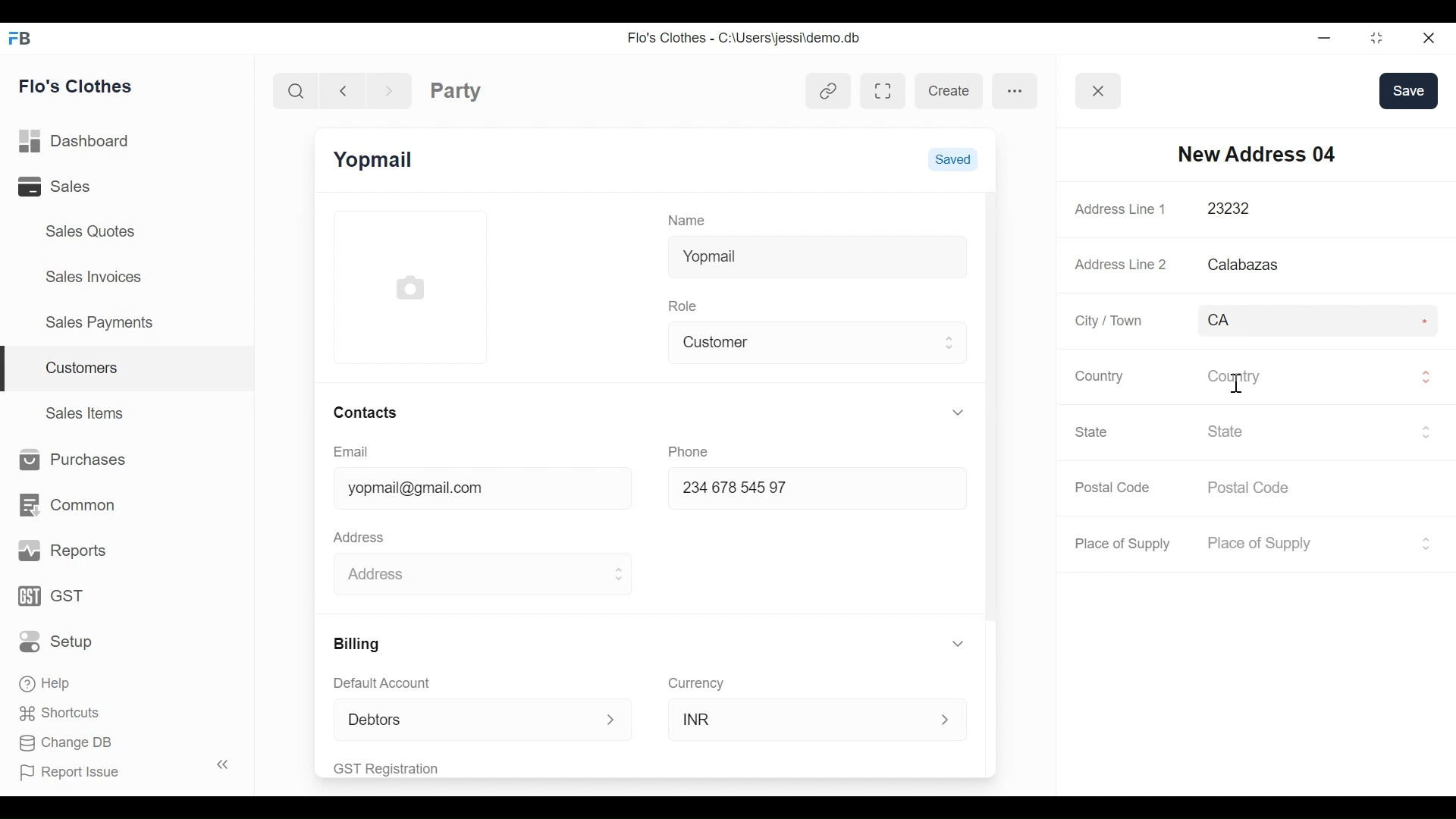 The width and height of the screenshot is (1456, 819). Describe the element at coordinates (961, 644) in the screenshot. I see `Expand` at that location.